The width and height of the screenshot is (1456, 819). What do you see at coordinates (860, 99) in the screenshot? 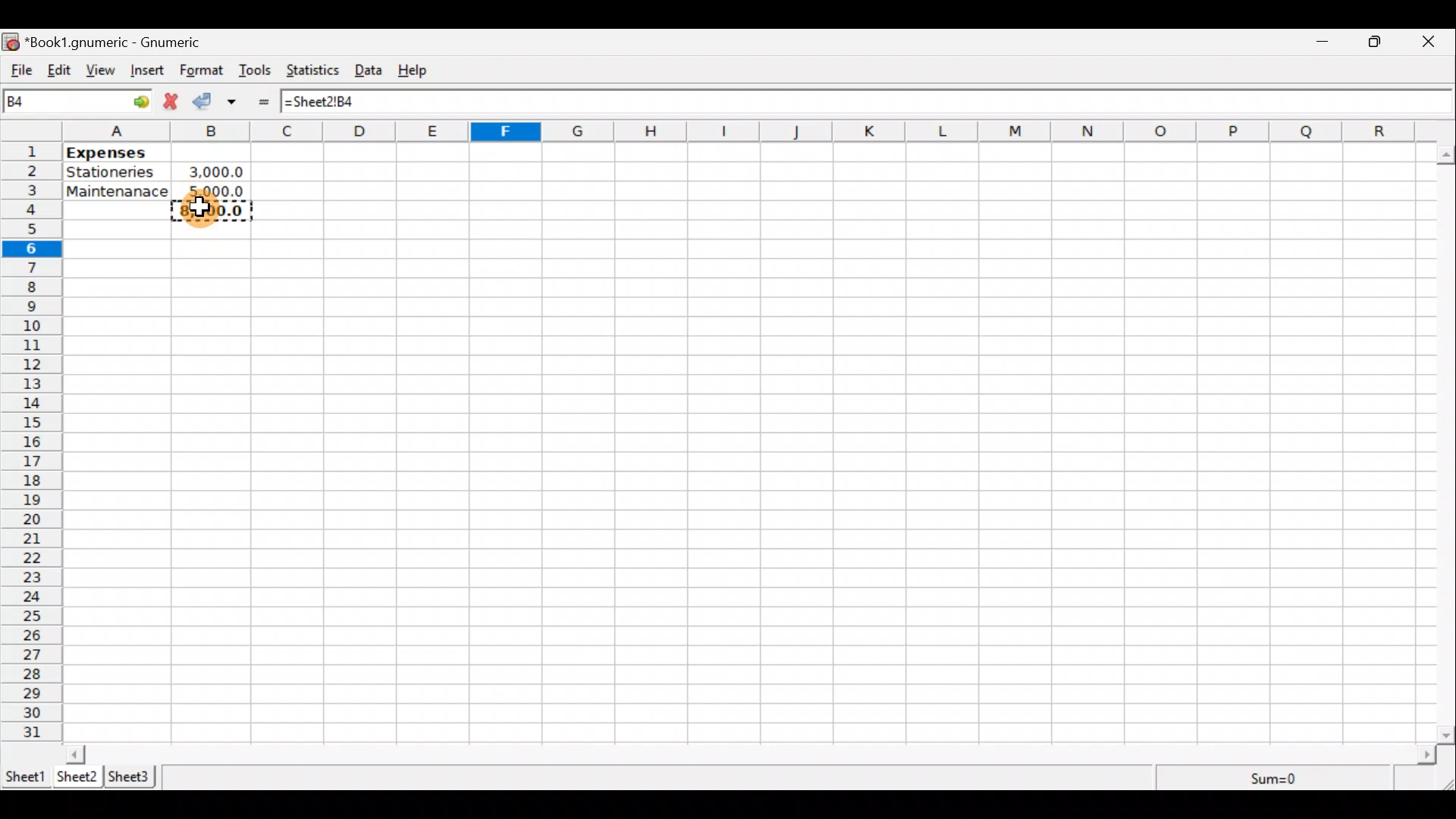
I see `Formula bar` at bounding box center [860, 99].